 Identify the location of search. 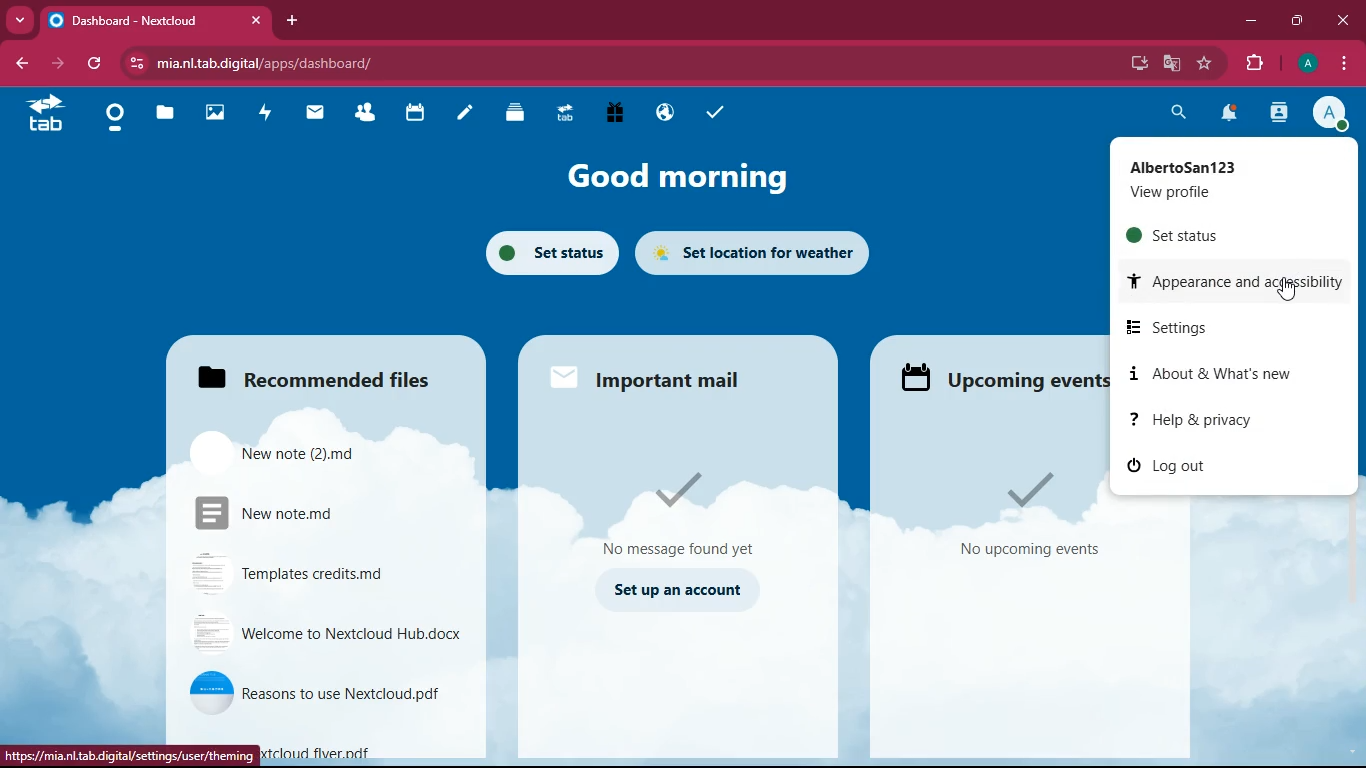
(1181, 112).